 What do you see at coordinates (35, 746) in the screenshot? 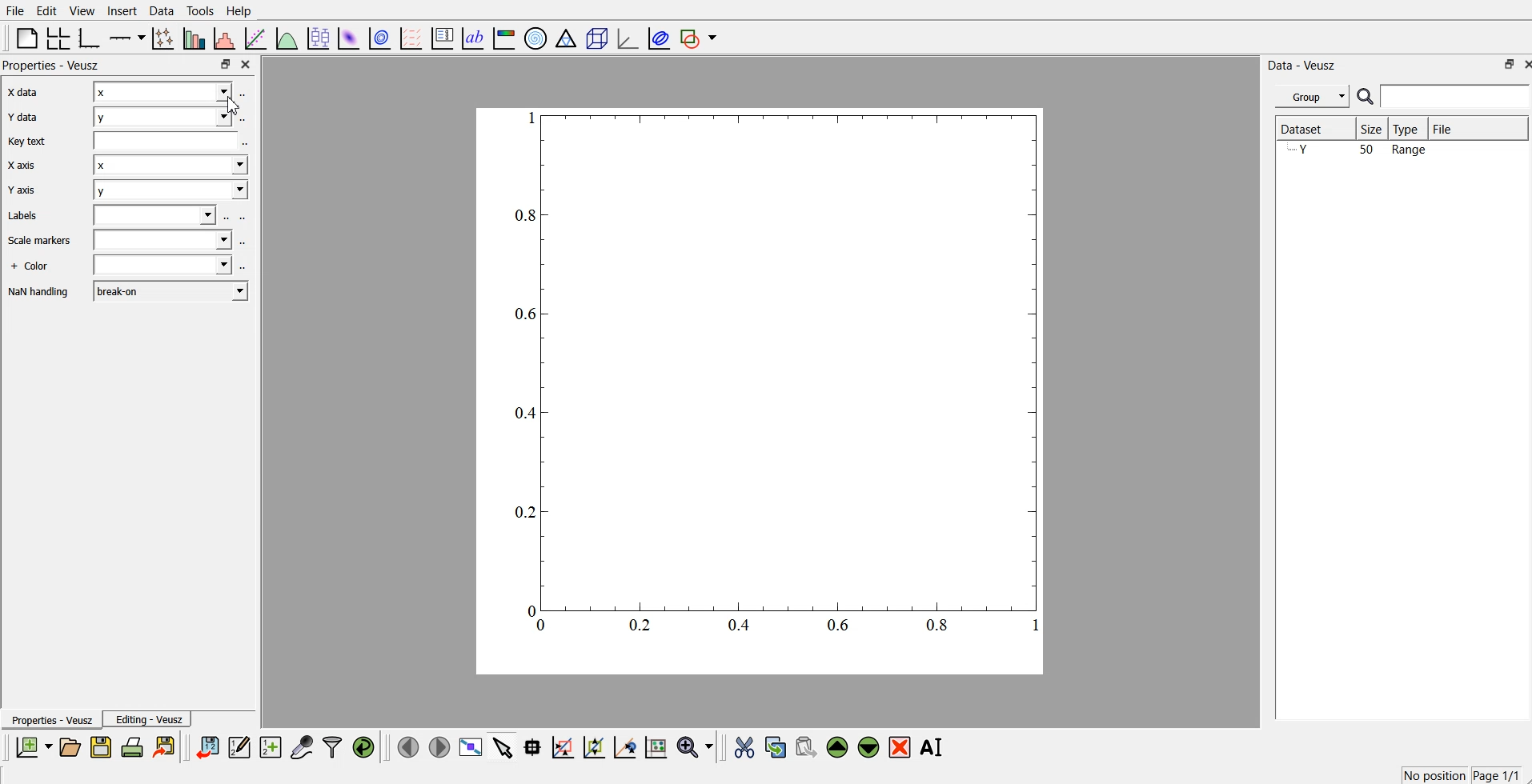
I see `new document` at bounding box center [35, 746].